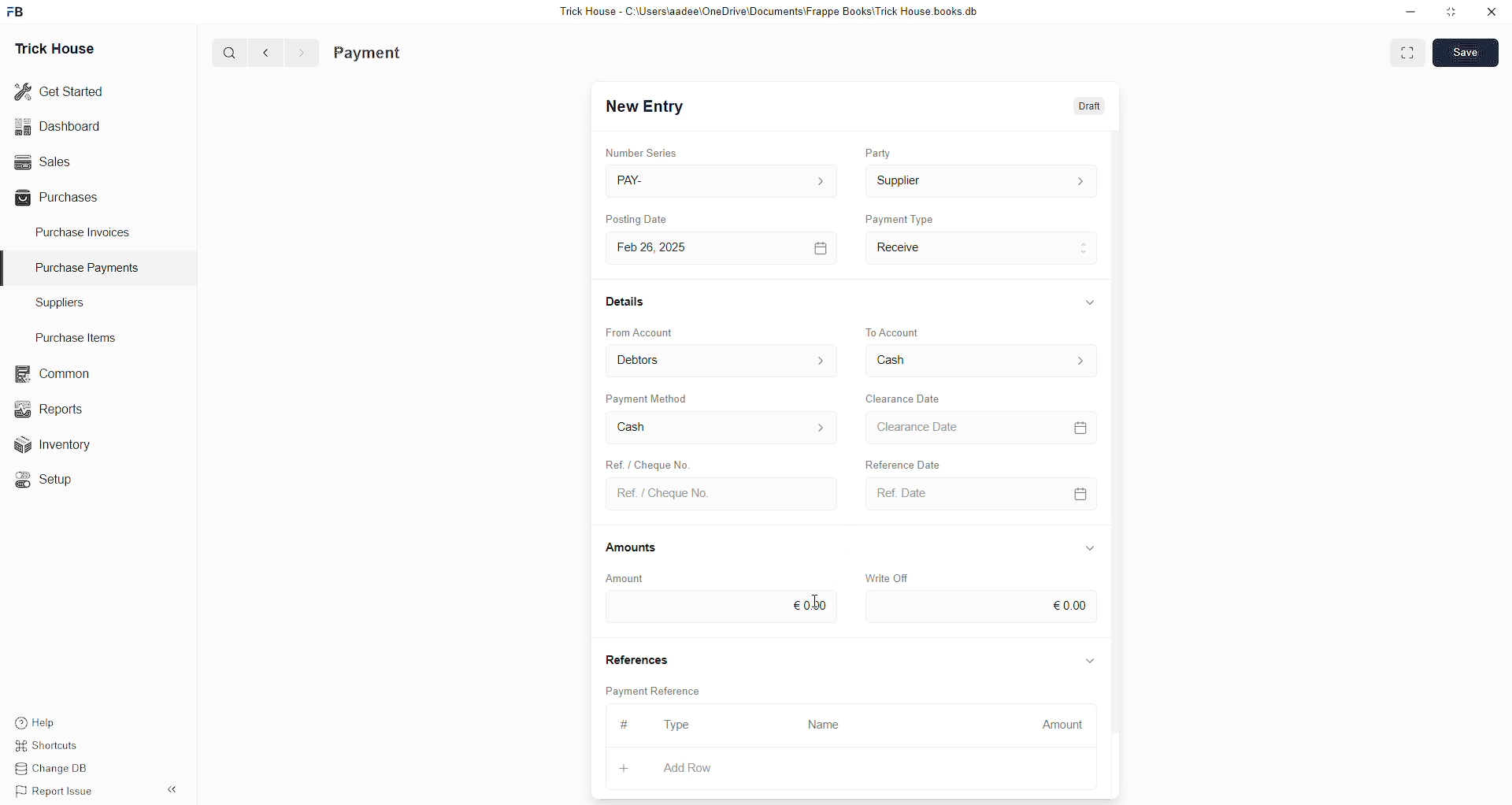 The image size is (1512, 805). Describe the element at coordinates (73, 336) in the screenshot. I see `Purchase Items.` at that location.